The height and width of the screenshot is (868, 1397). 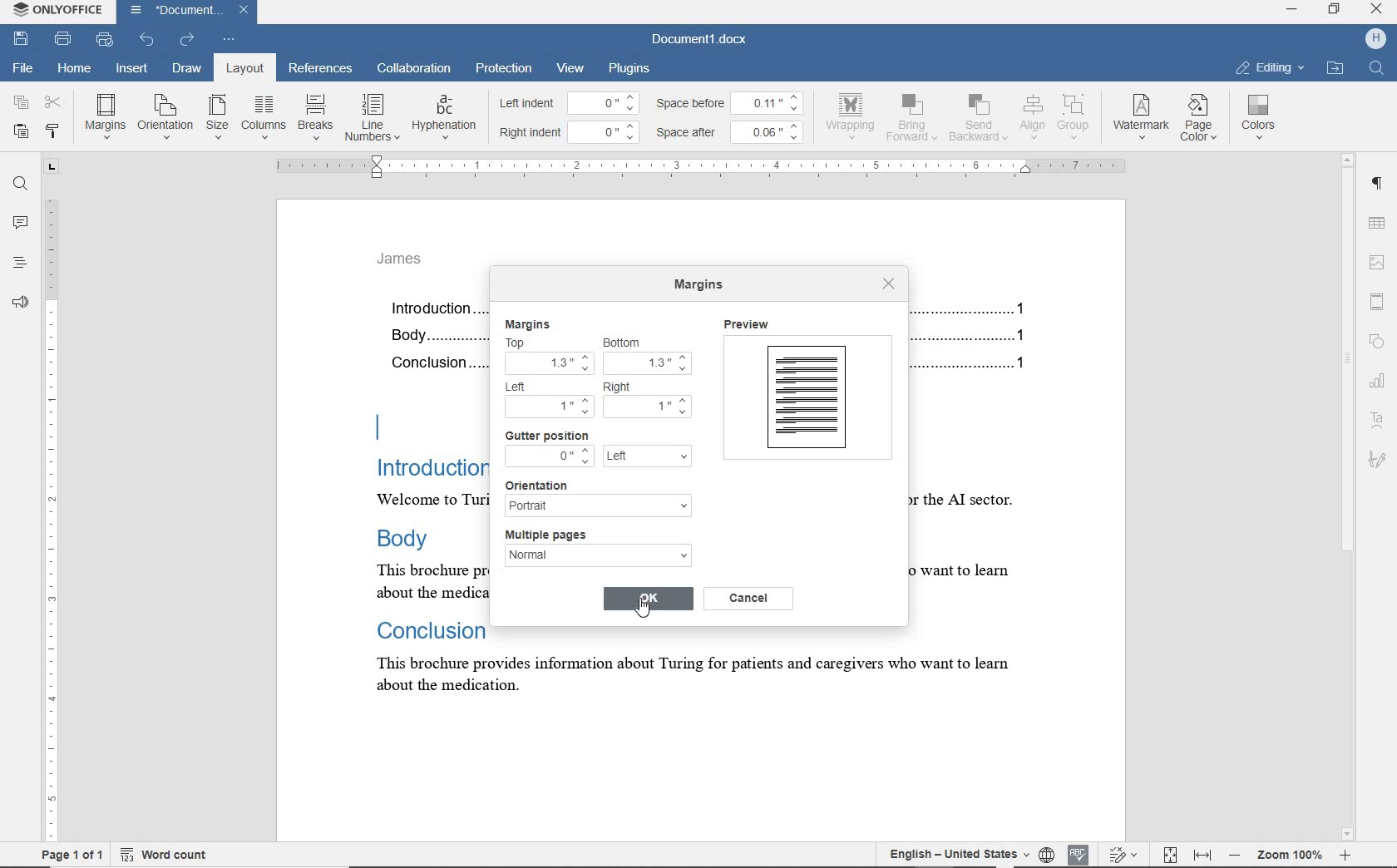 I want to click on top, so click(x=525, y=343).